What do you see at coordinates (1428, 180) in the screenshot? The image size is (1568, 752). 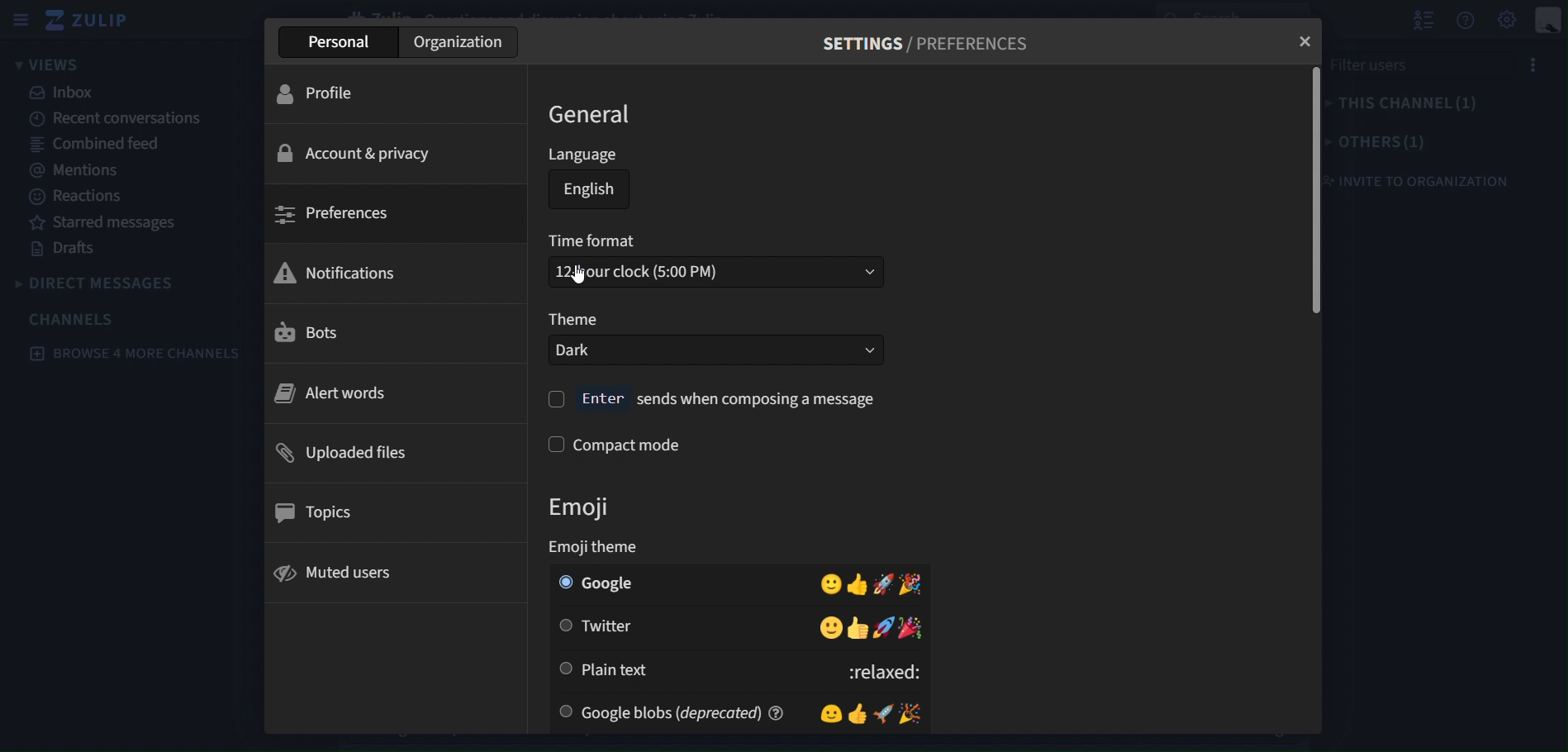 I see `invite to organization` at bounding box center [1428, 180].